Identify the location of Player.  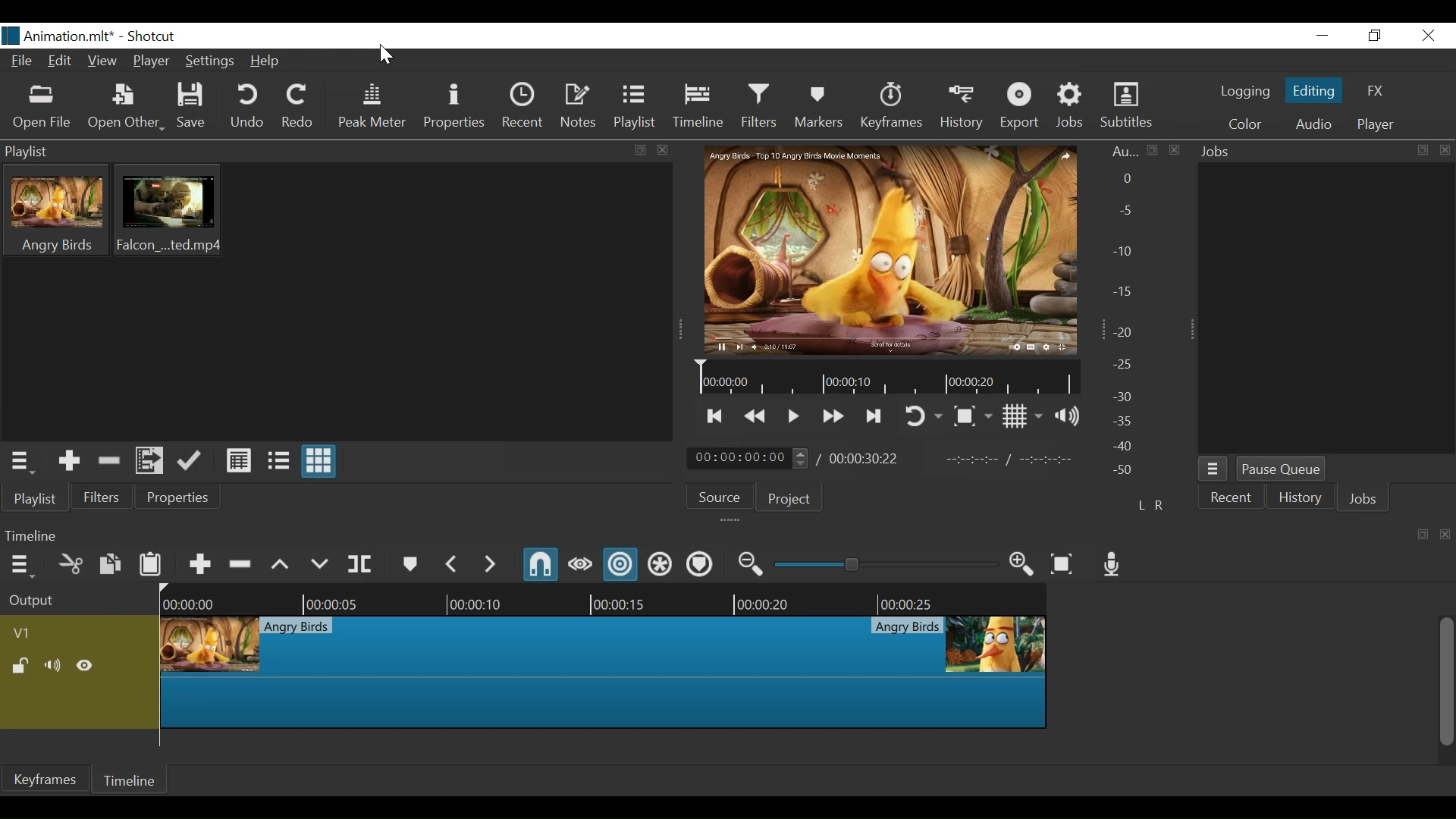
(1375, 125).